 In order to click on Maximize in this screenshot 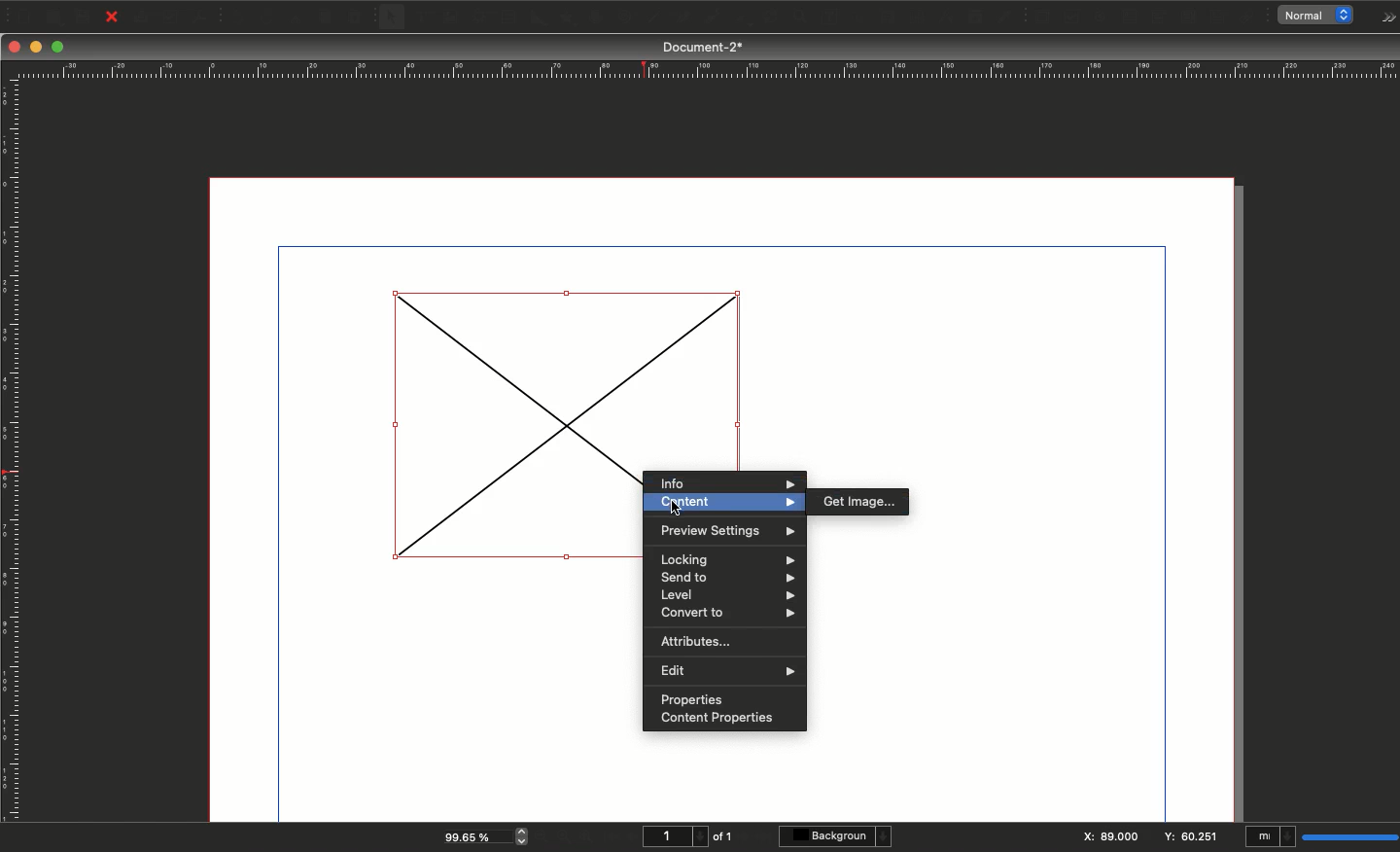, I will do `click(59, 49)`.